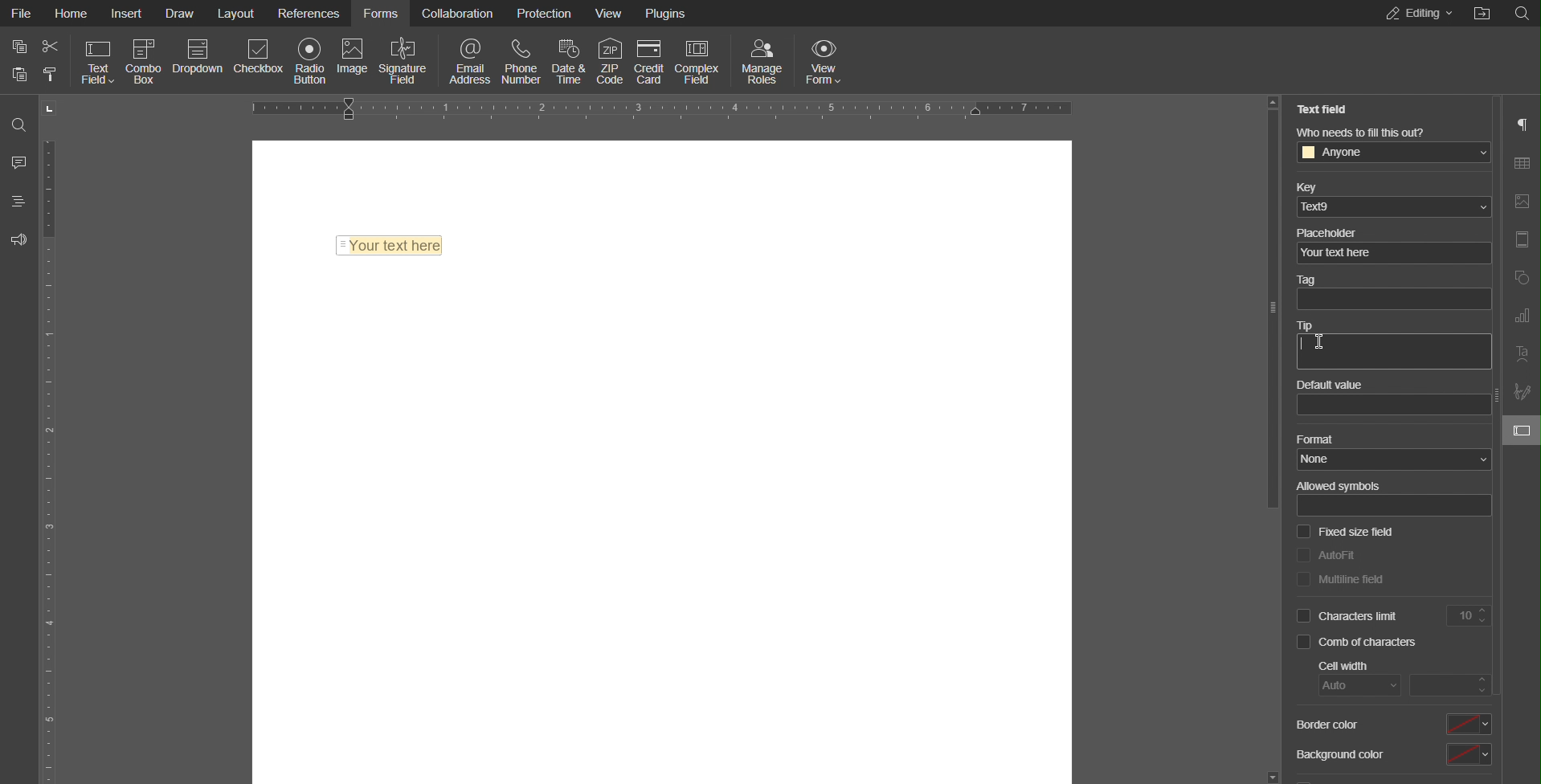 This screenshot has height=784, width=1541. I want to click on Text Field, so click(388, 247).